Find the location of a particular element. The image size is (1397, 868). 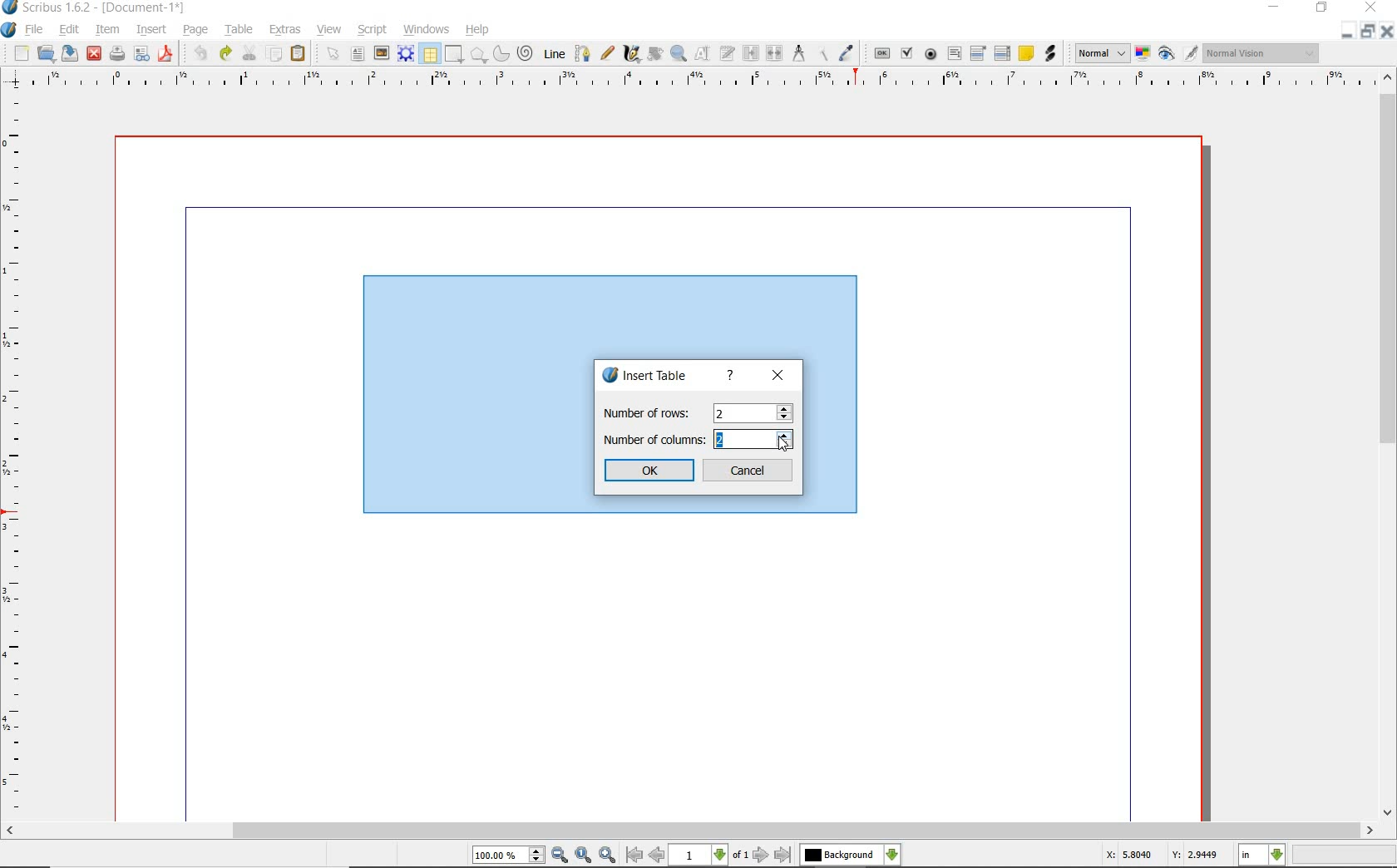

scrollbar is located at coordinates (691, 831).